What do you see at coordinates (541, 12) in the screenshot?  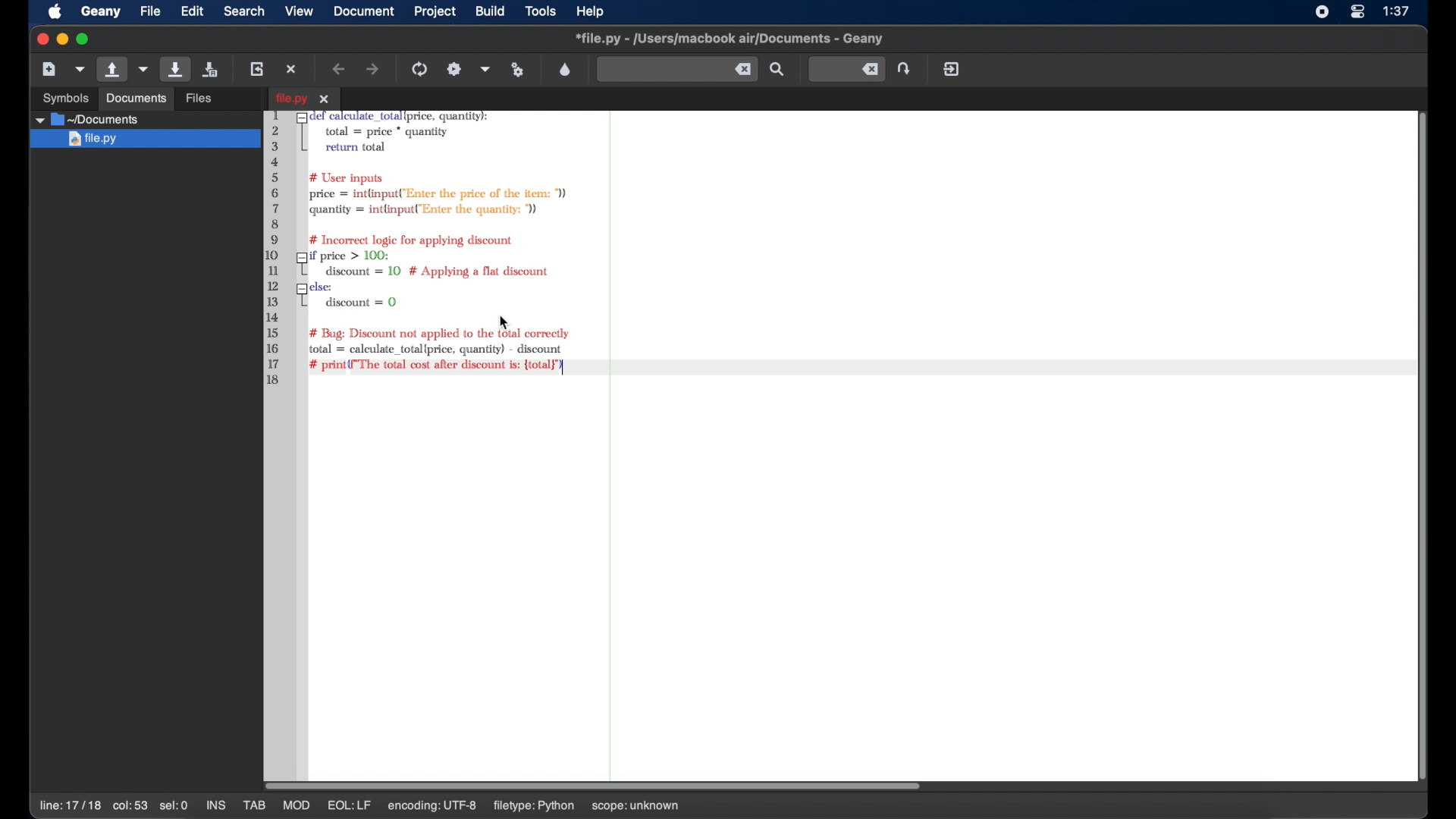 I see `tools` at bounding box center [541, 12].